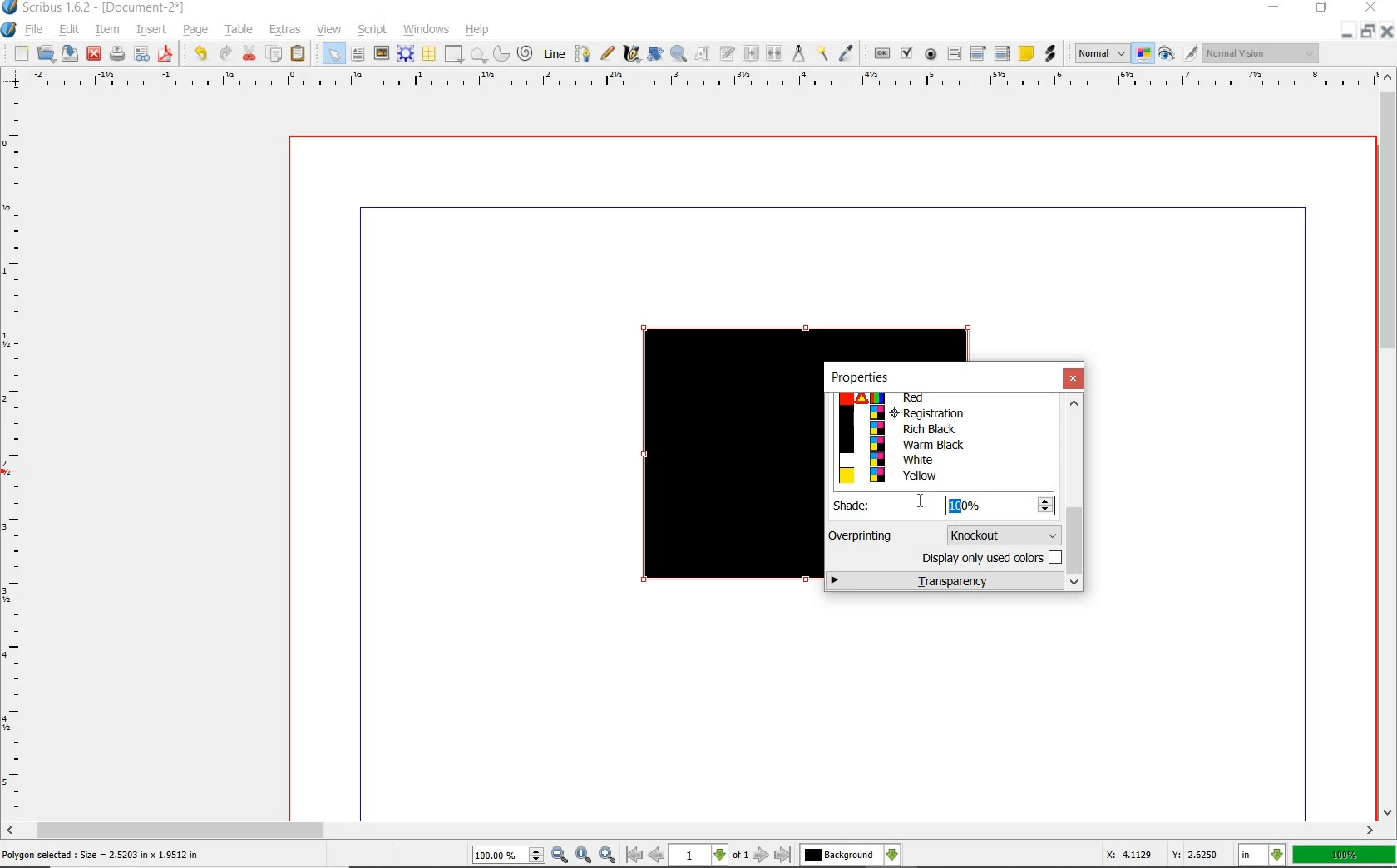 The width and height of the screenshot is (1397, 868). Describe the element at coordinates (249, 55) in the screenshot. I see `cut` at that location.